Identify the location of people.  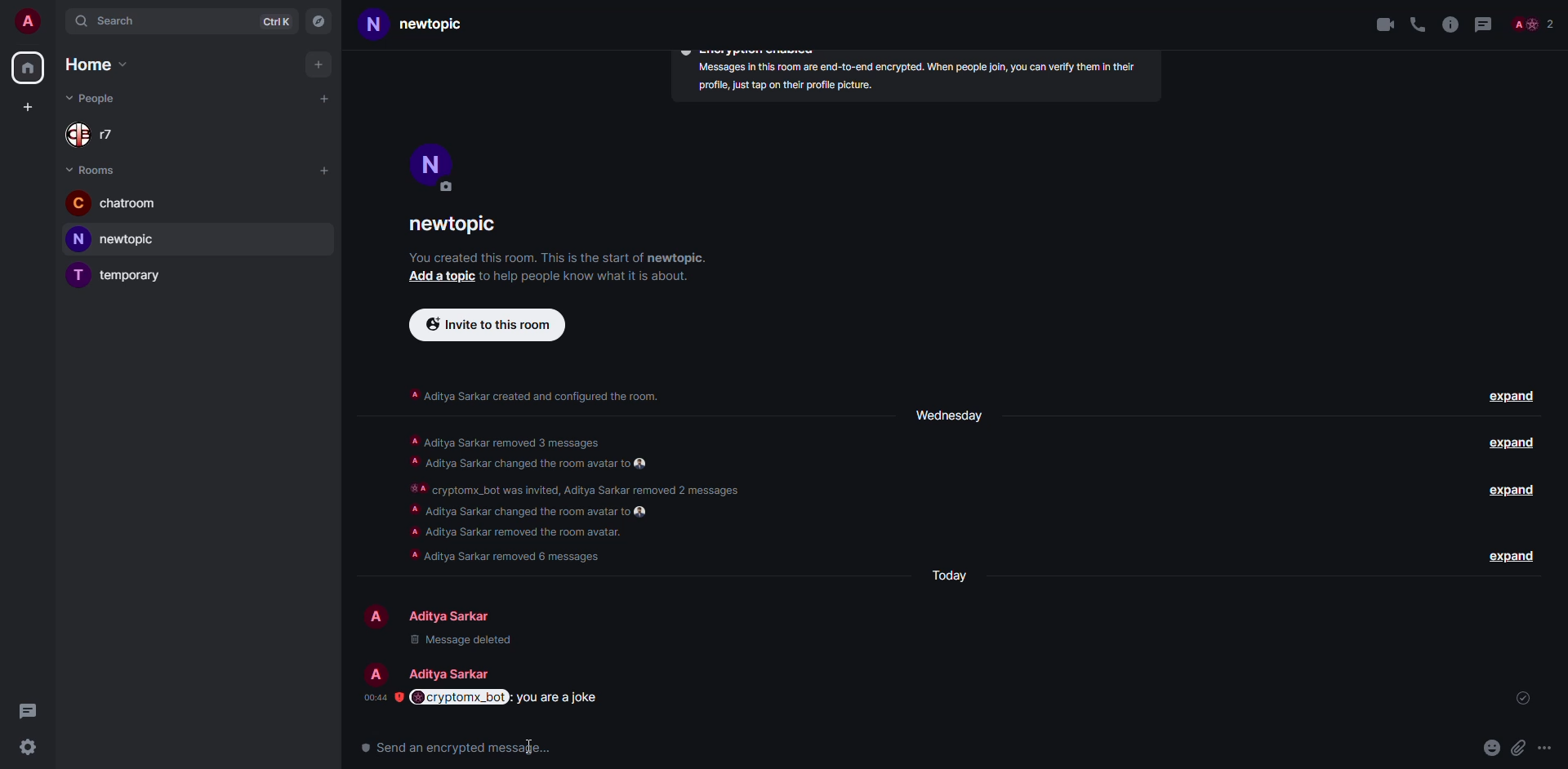
(96, 96).